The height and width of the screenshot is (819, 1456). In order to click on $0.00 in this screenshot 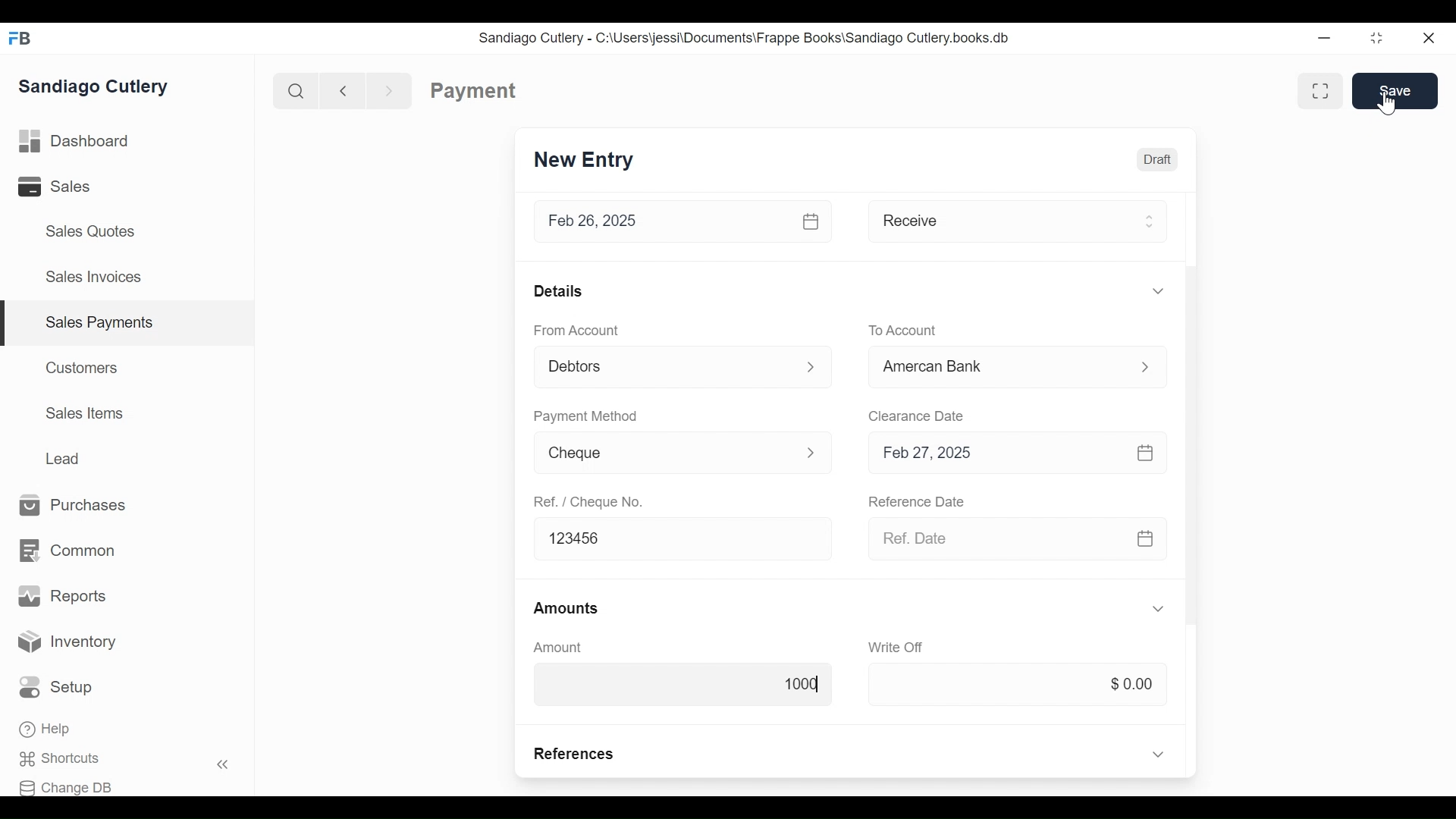, I will do `click(1017, 685)`.